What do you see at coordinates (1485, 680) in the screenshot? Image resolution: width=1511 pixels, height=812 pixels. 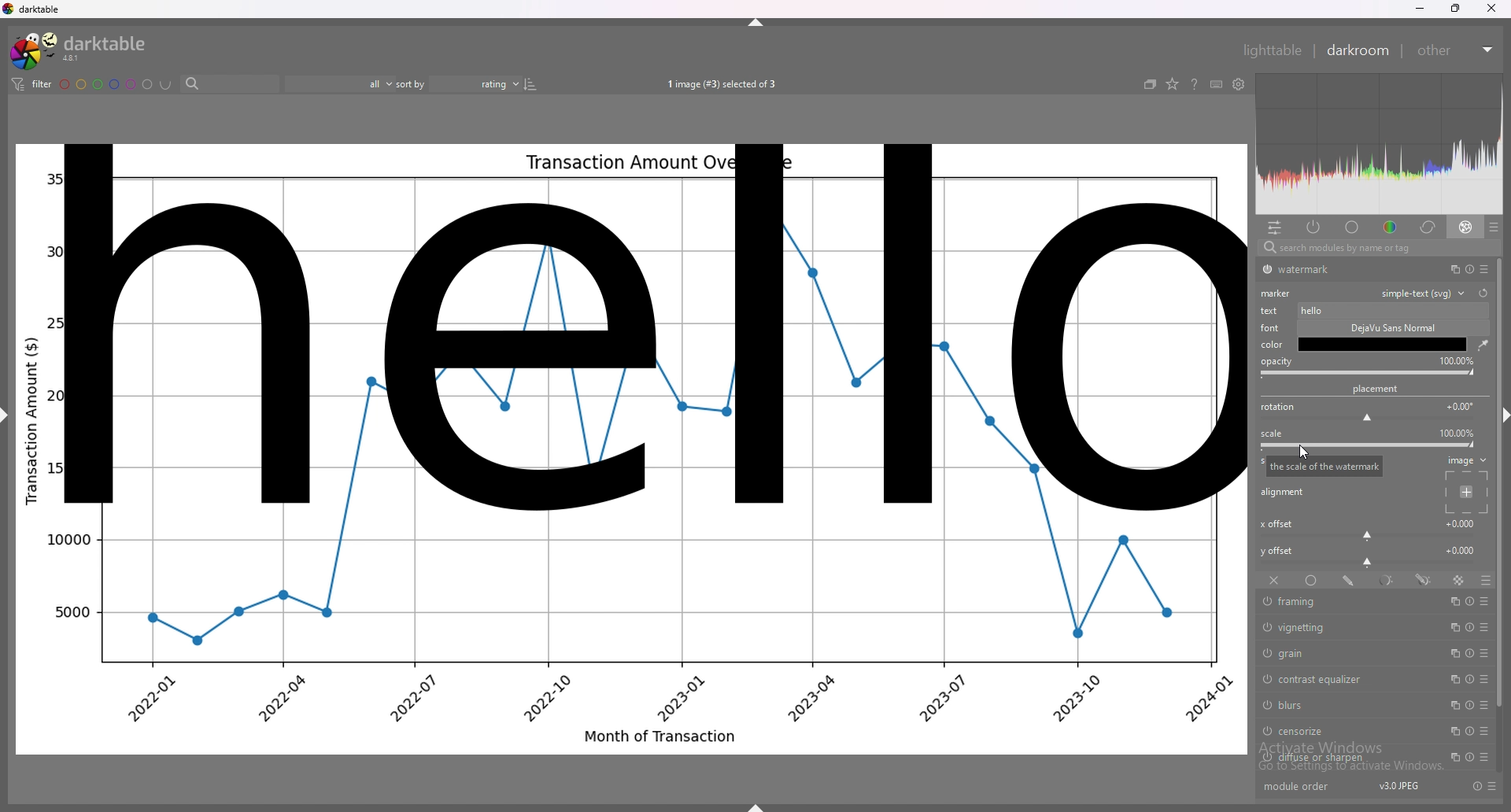 I see `presets` at bounding box center [1485, 680].